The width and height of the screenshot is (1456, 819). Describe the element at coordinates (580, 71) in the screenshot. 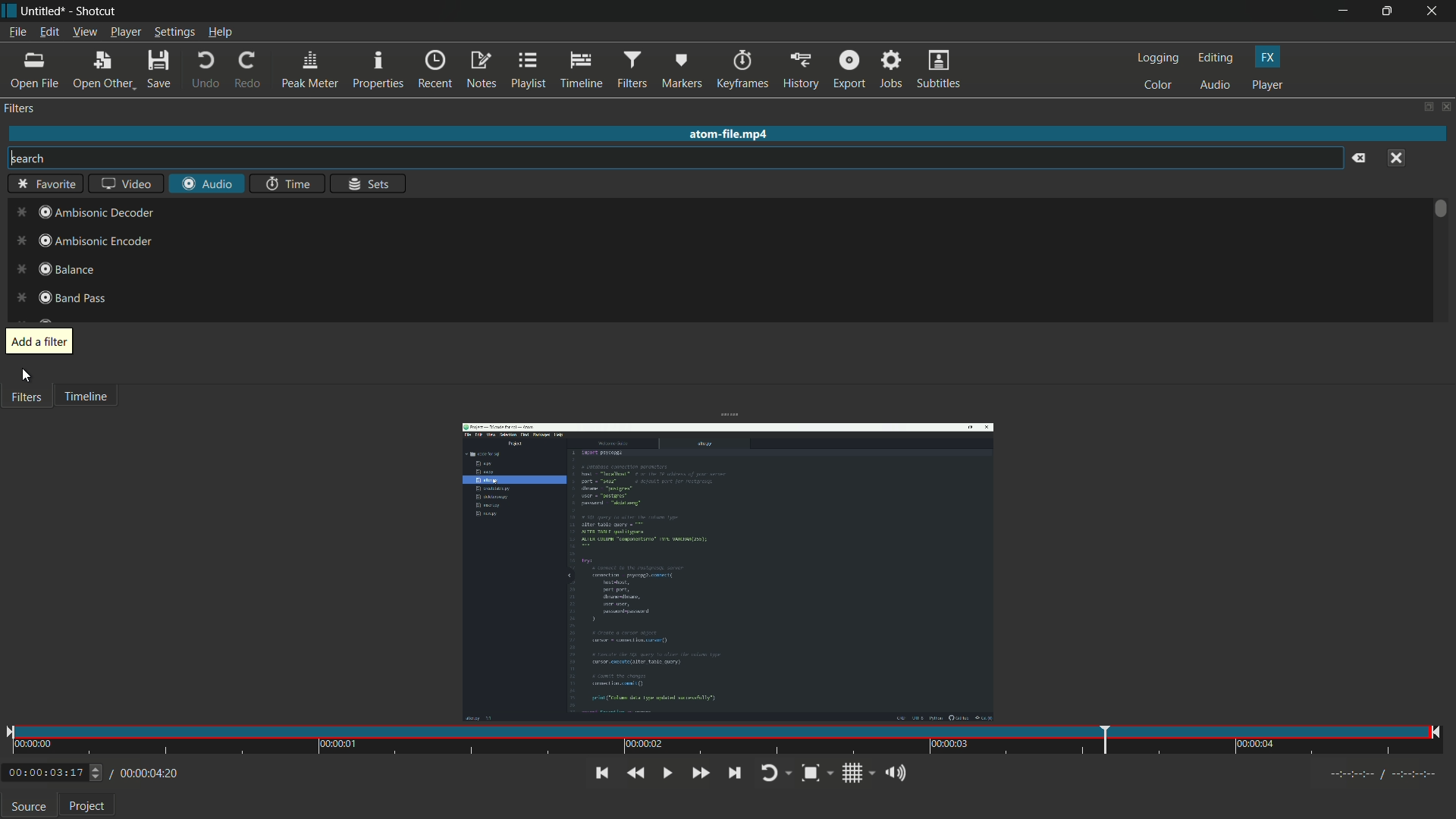

I see `timeline` at that location.